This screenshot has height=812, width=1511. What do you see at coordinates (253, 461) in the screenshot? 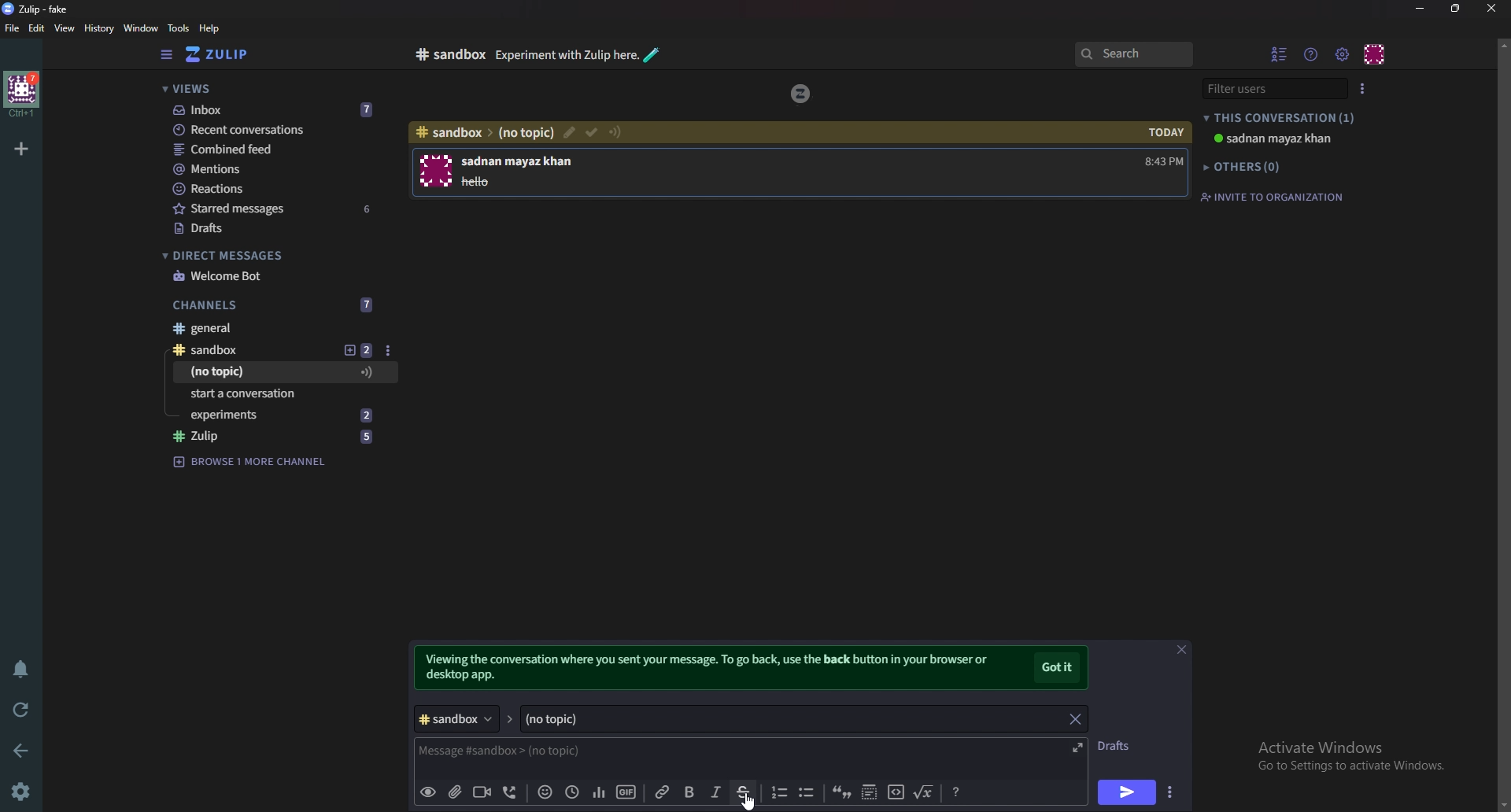
I see `browse 1 more channel` at bounding box center [253, 461].